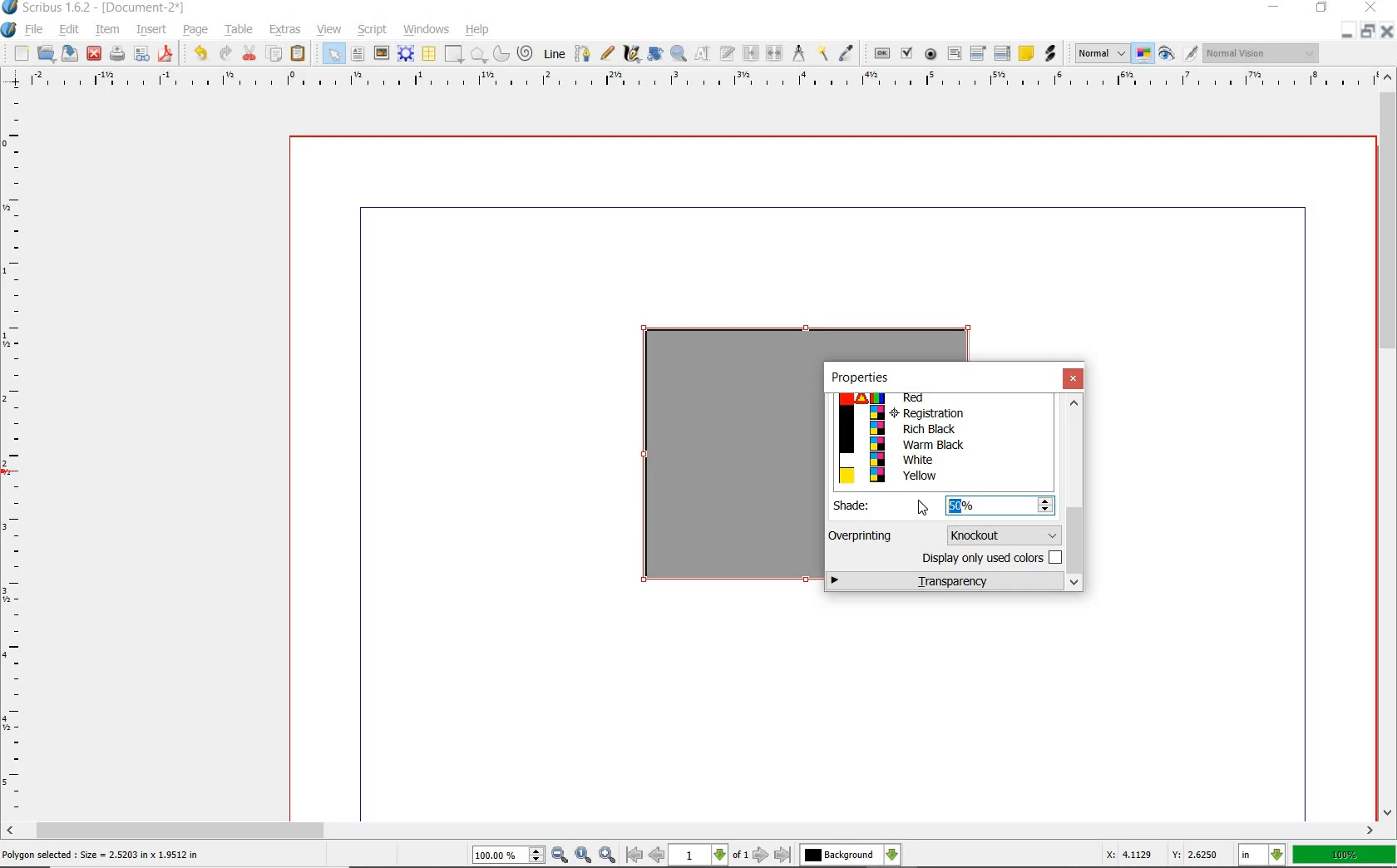 This screenshot has height=868, width=1397. I want to click on preview mode, so click(1167, 56).